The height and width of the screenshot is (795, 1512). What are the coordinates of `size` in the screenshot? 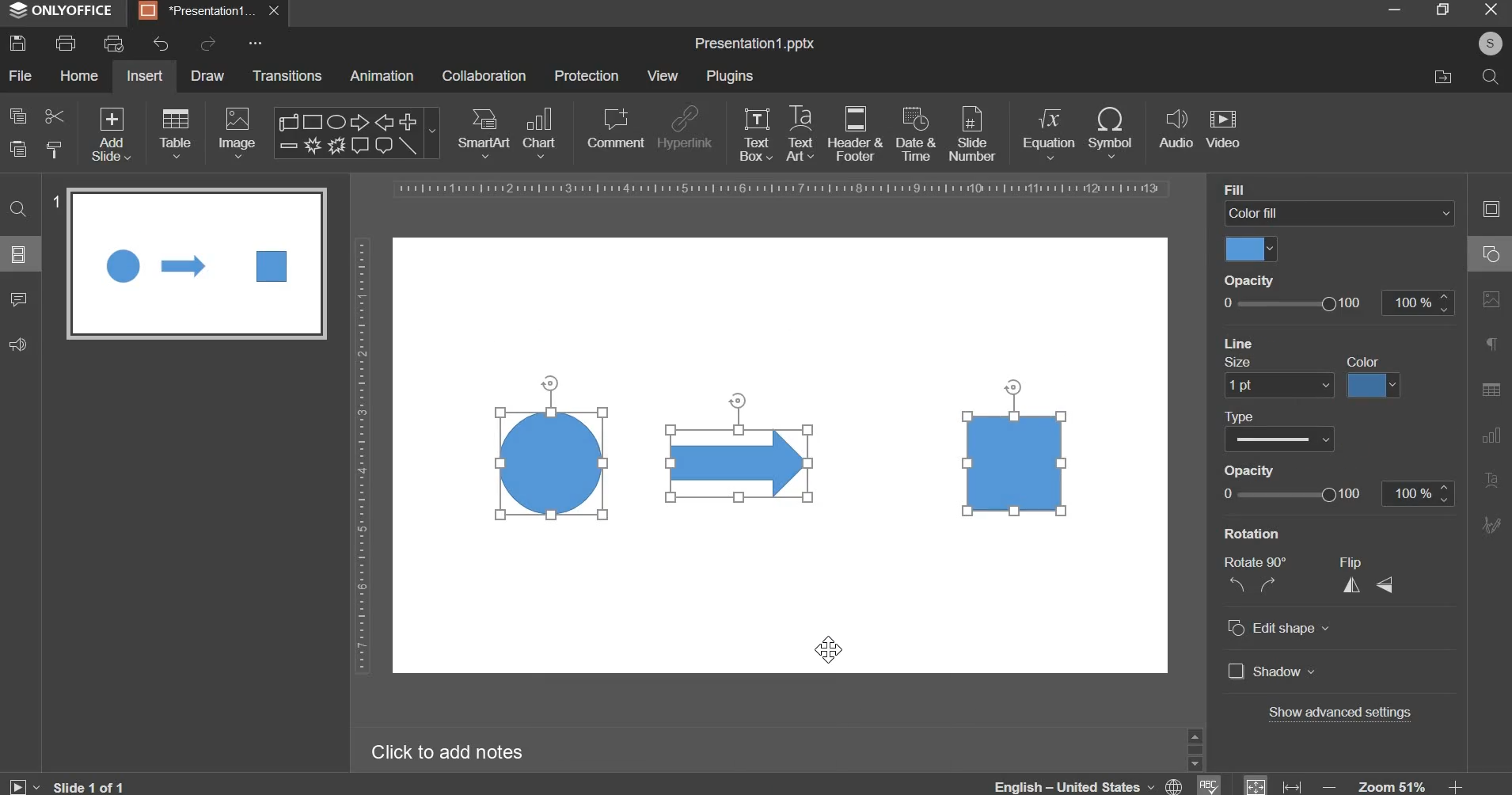 It's located at (1242, 361).